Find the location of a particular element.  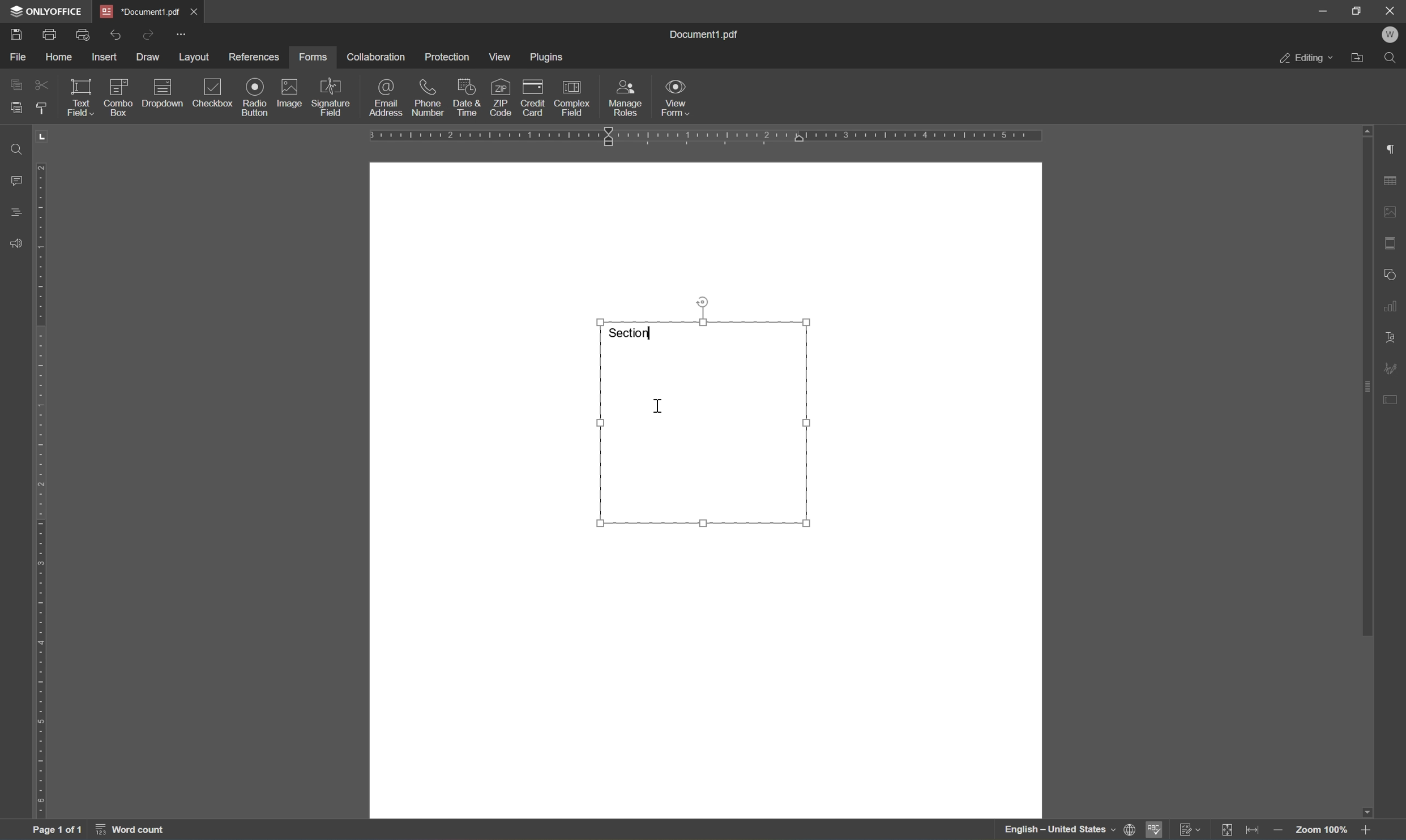

combo box is located at coordinates (119, 95).